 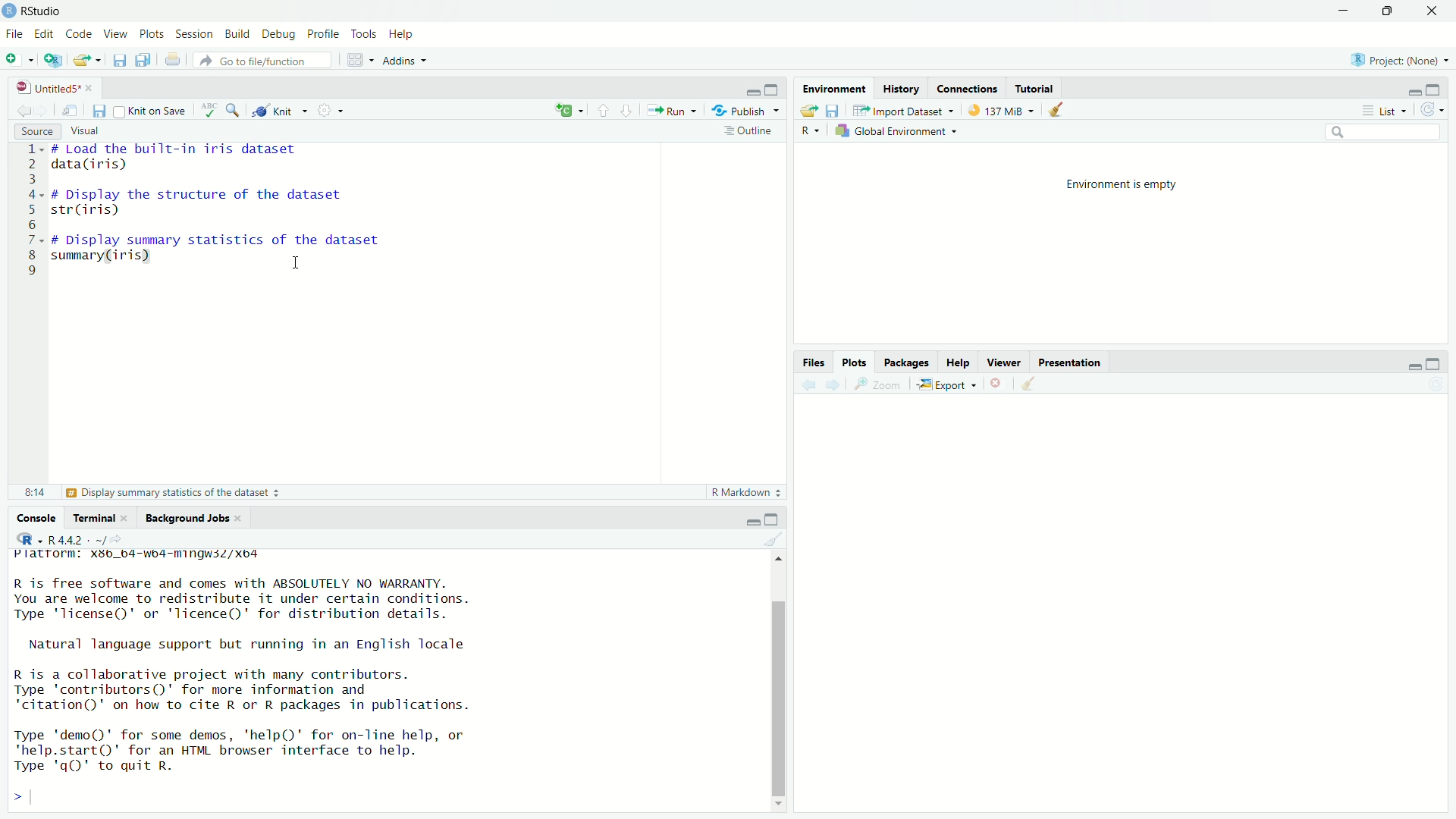 I want to click on Settings, so click(x=335, y=110).